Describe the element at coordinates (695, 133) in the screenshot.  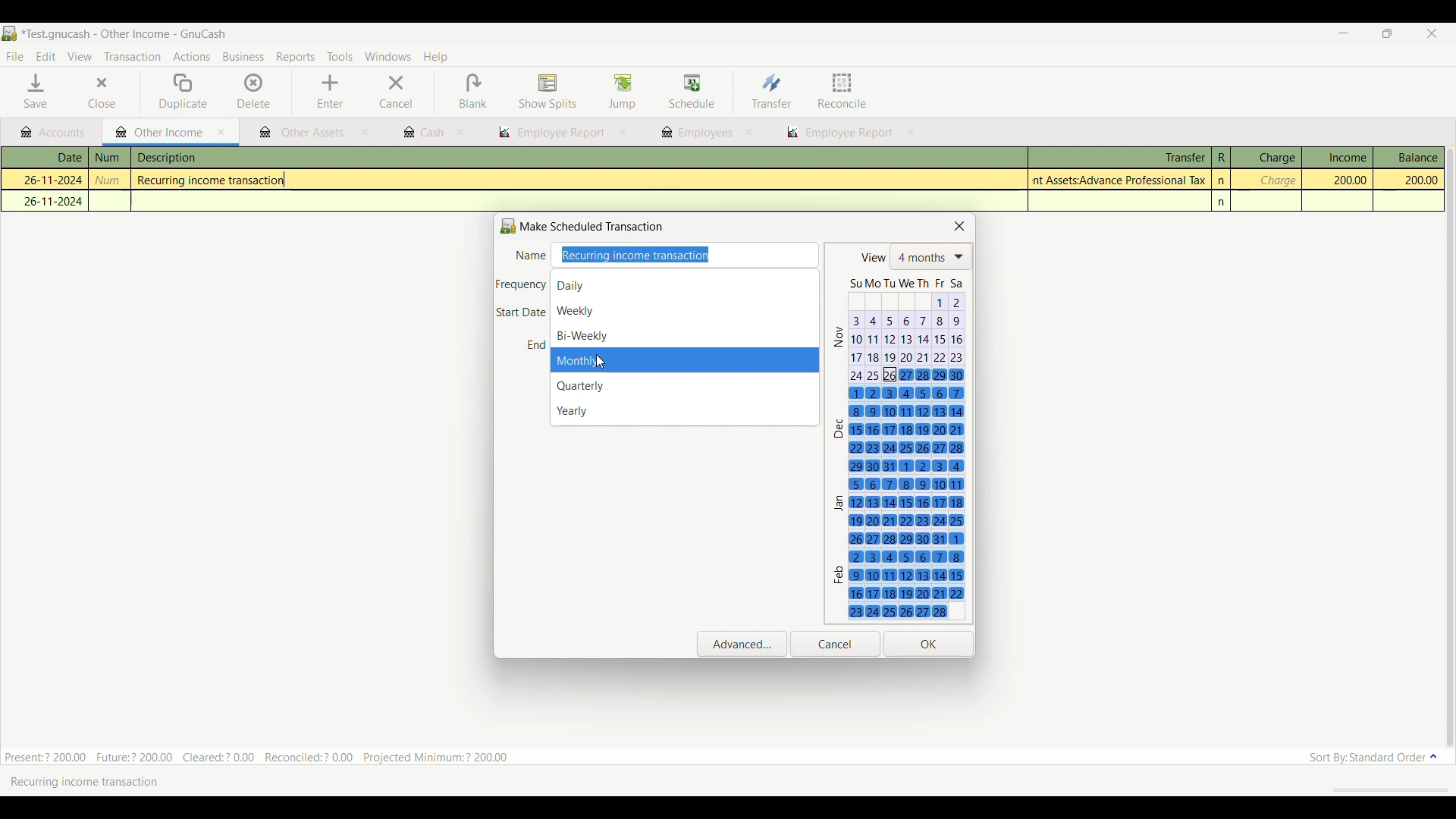
I see `employees` at that location.